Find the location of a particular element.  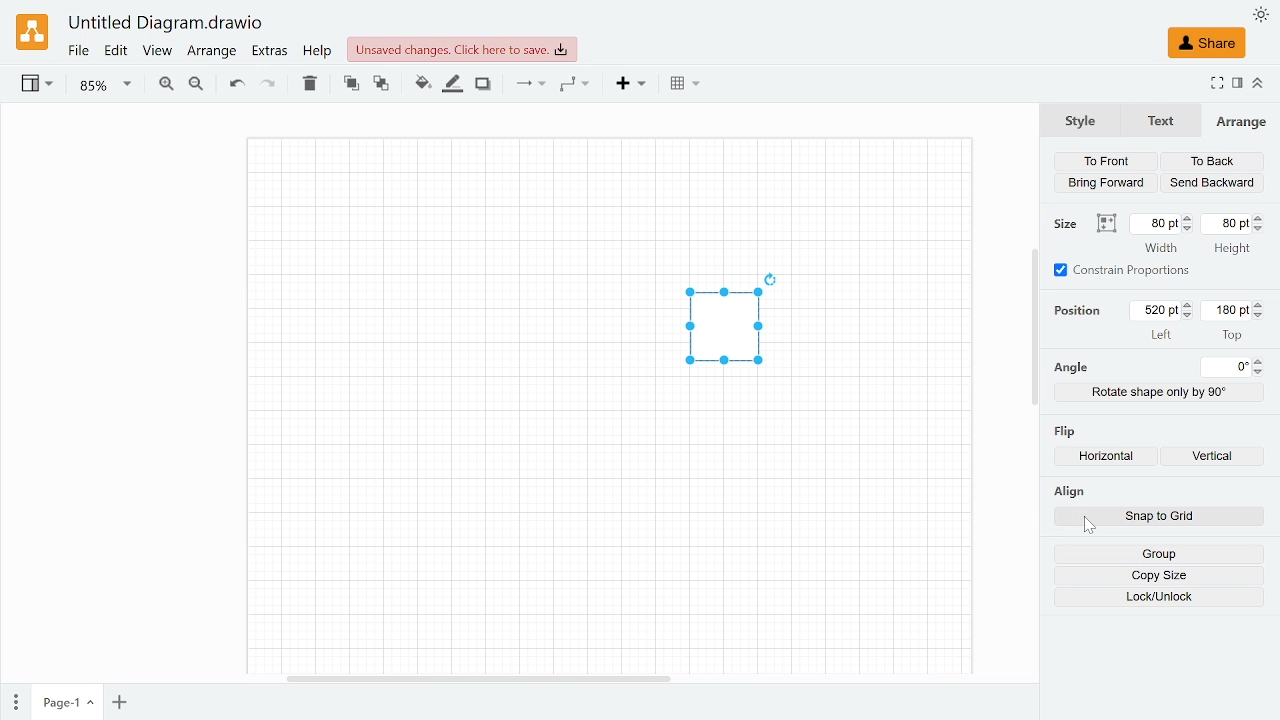

Current page(Page 1) is located at coordinates (65, 702).